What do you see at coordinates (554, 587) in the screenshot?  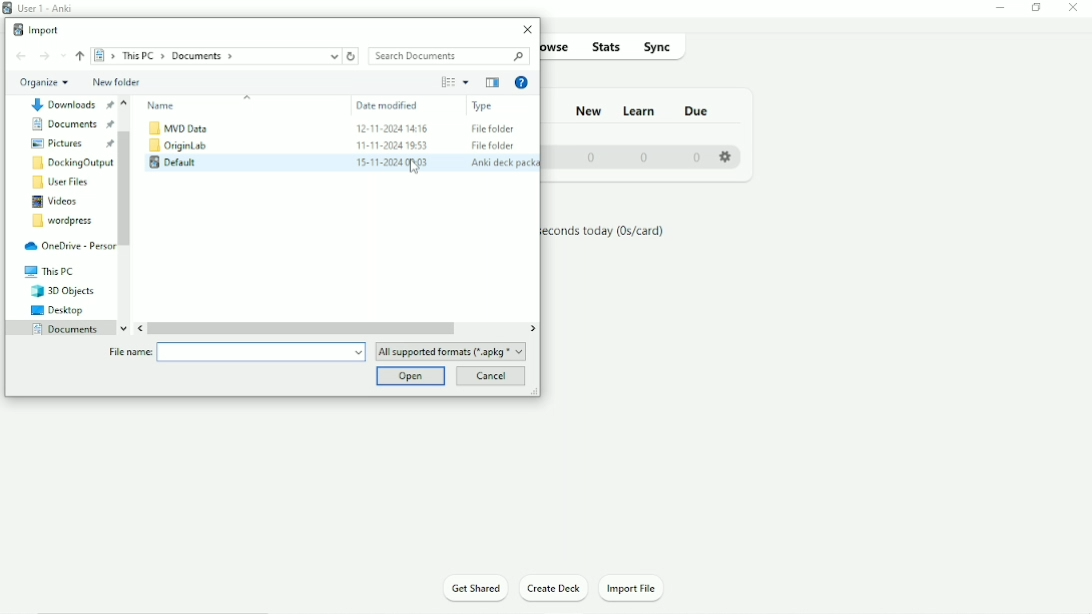 I see `Create Deck` at bounding box center [554, 587].